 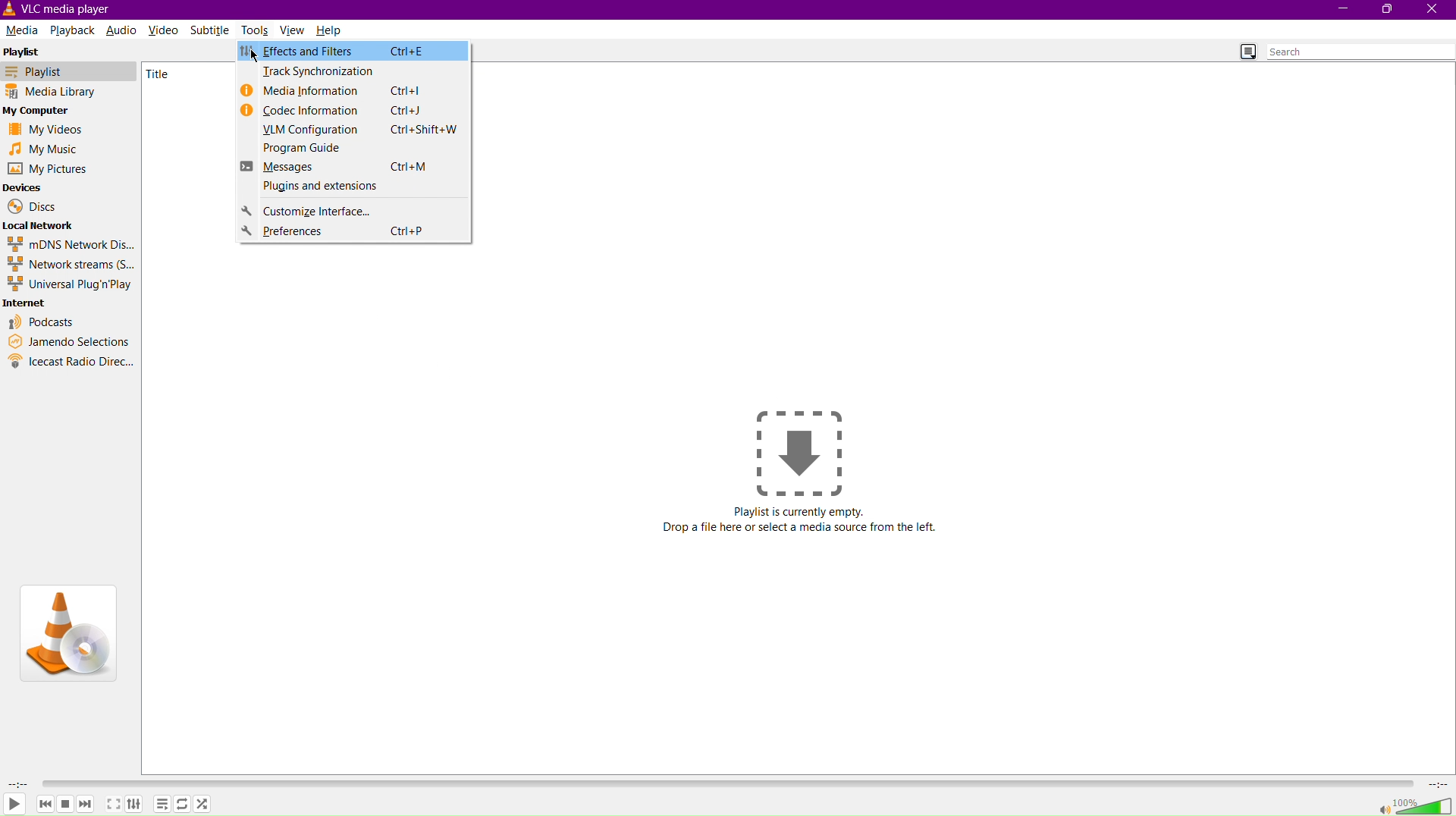 What do you see at coordinates (352, 233) in the screenshot?
I see `Preferences` at bounding box center [352, 233].